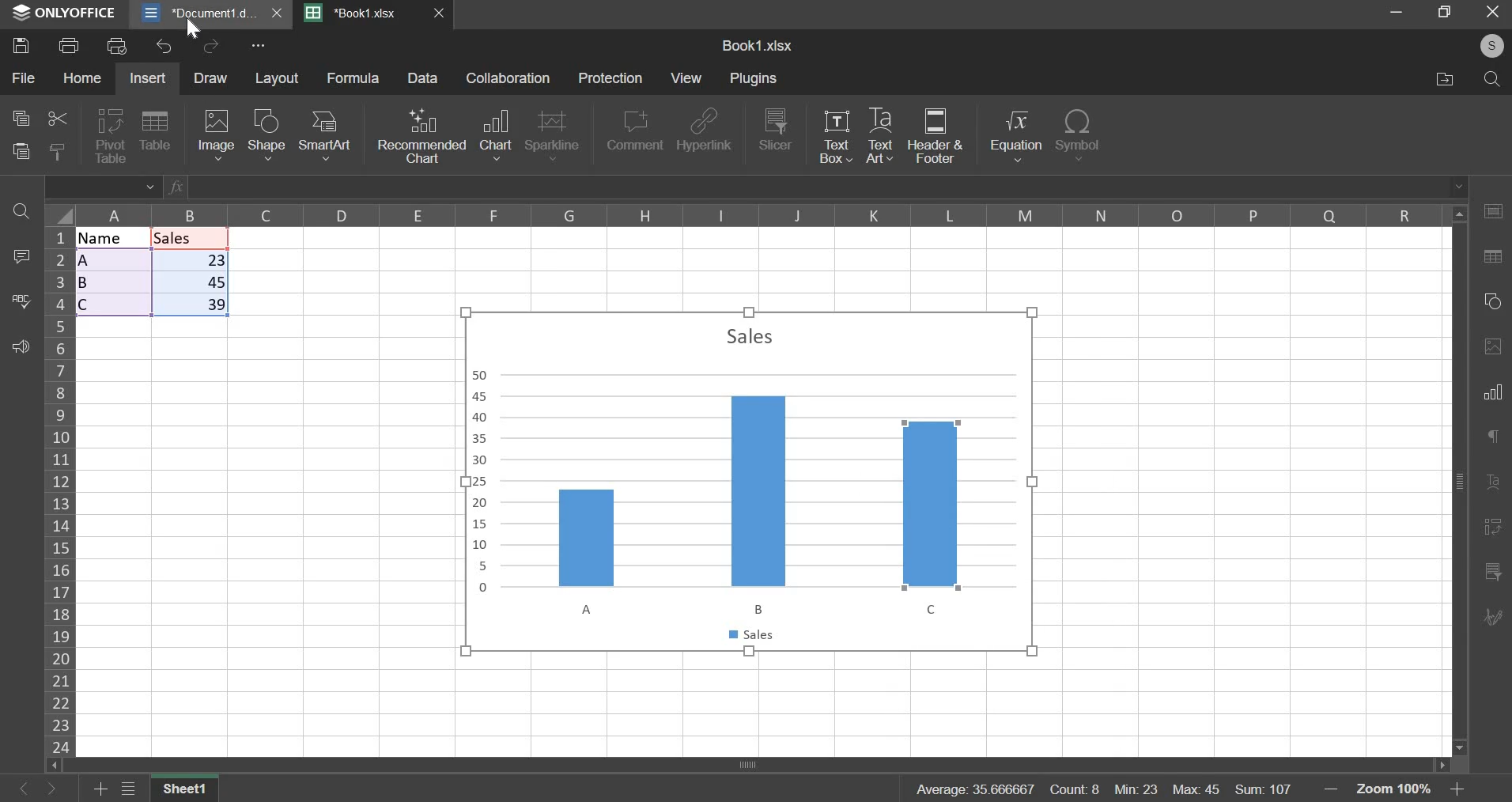 This screenshot has height=802, width=1512. I want to click on sheet name, so click(756, 46).